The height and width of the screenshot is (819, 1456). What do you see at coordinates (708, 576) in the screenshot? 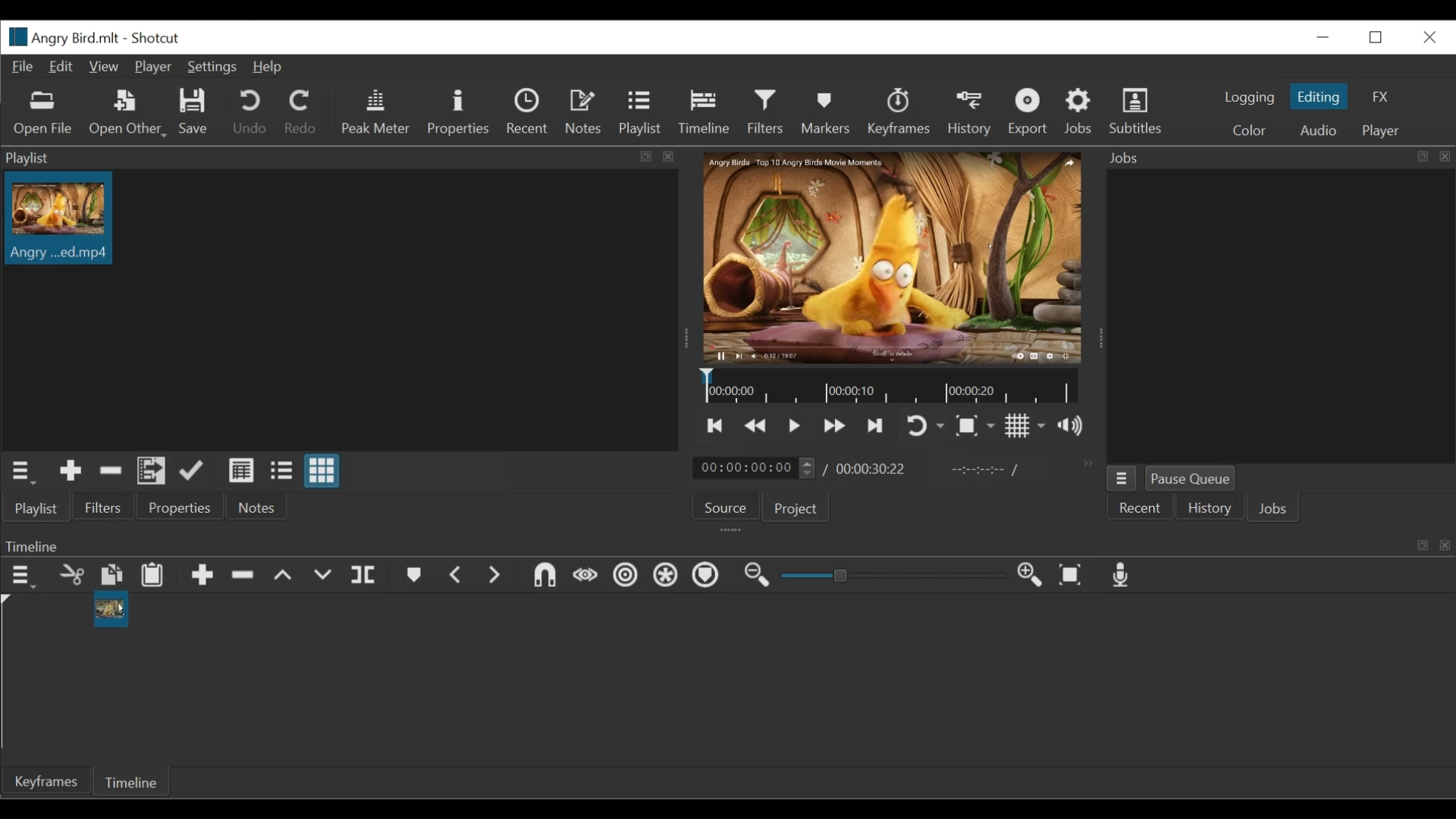
I see `Ripple markers` at bounding box center [708, 576].